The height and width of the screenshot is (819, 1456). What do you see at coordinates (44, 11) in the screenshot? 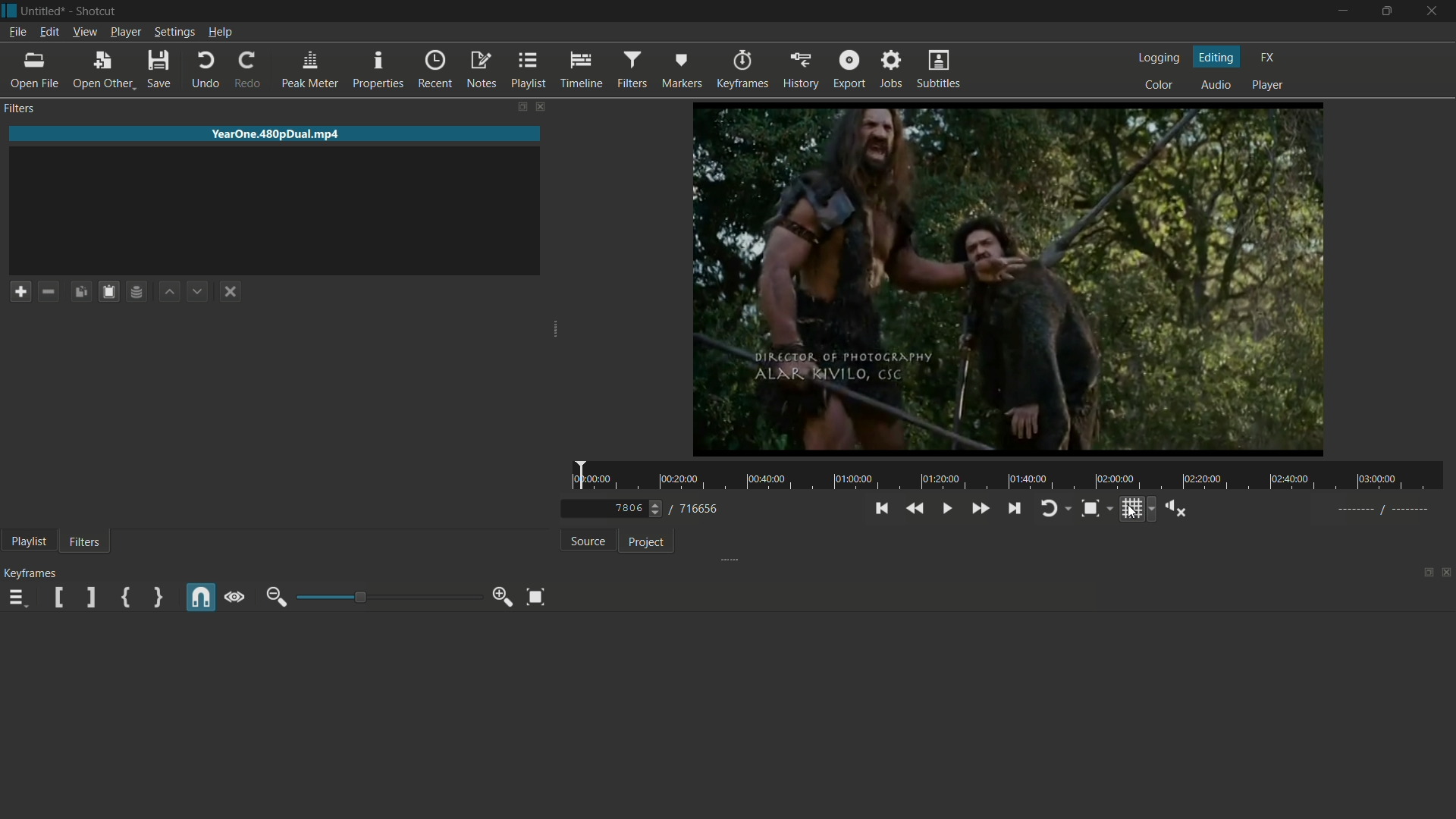
I see `project name` at bounding box center [44, 11].